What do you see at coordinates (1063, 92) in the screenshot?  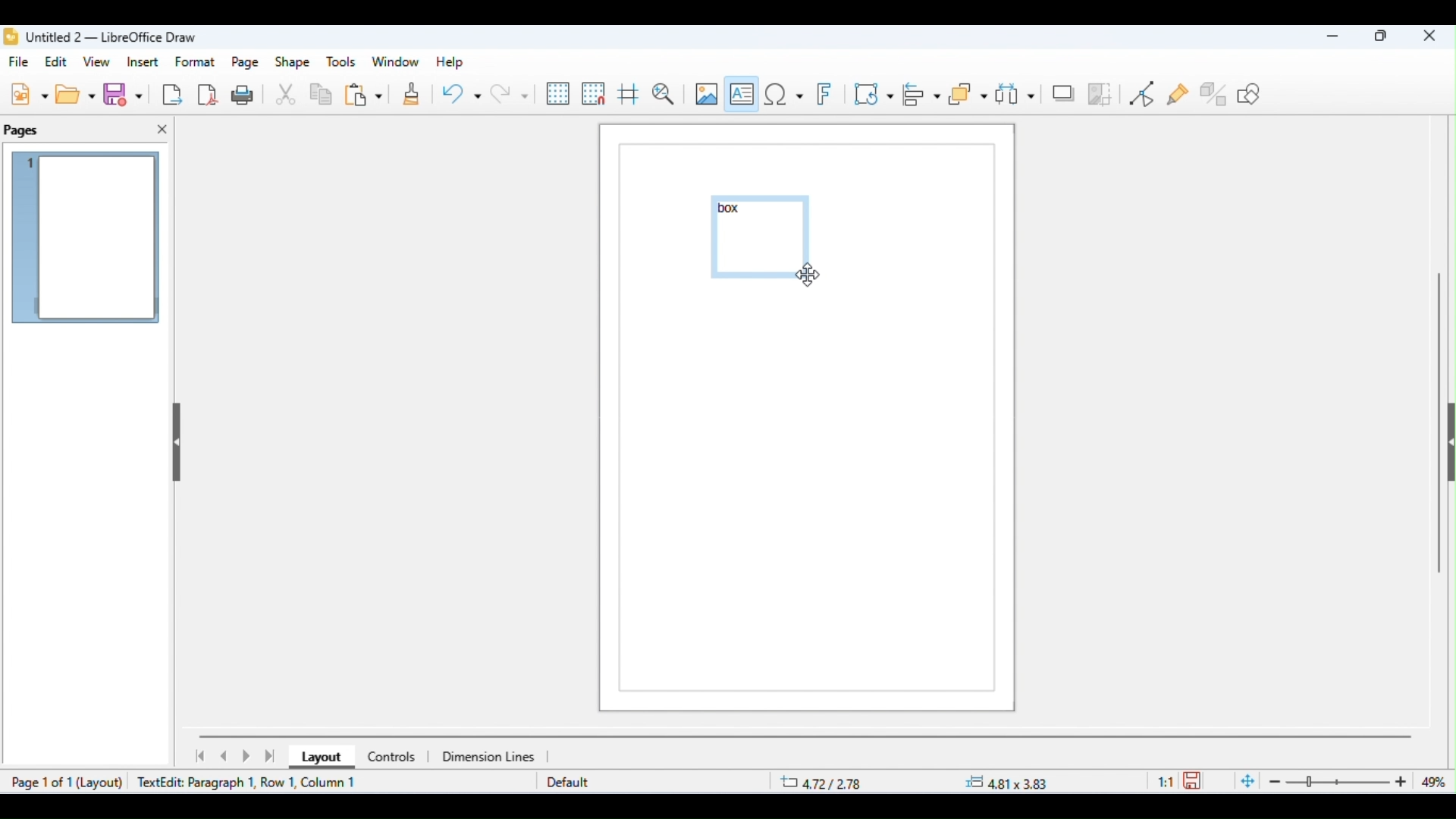 I see `shadow` at bounding box center [1063, 92].